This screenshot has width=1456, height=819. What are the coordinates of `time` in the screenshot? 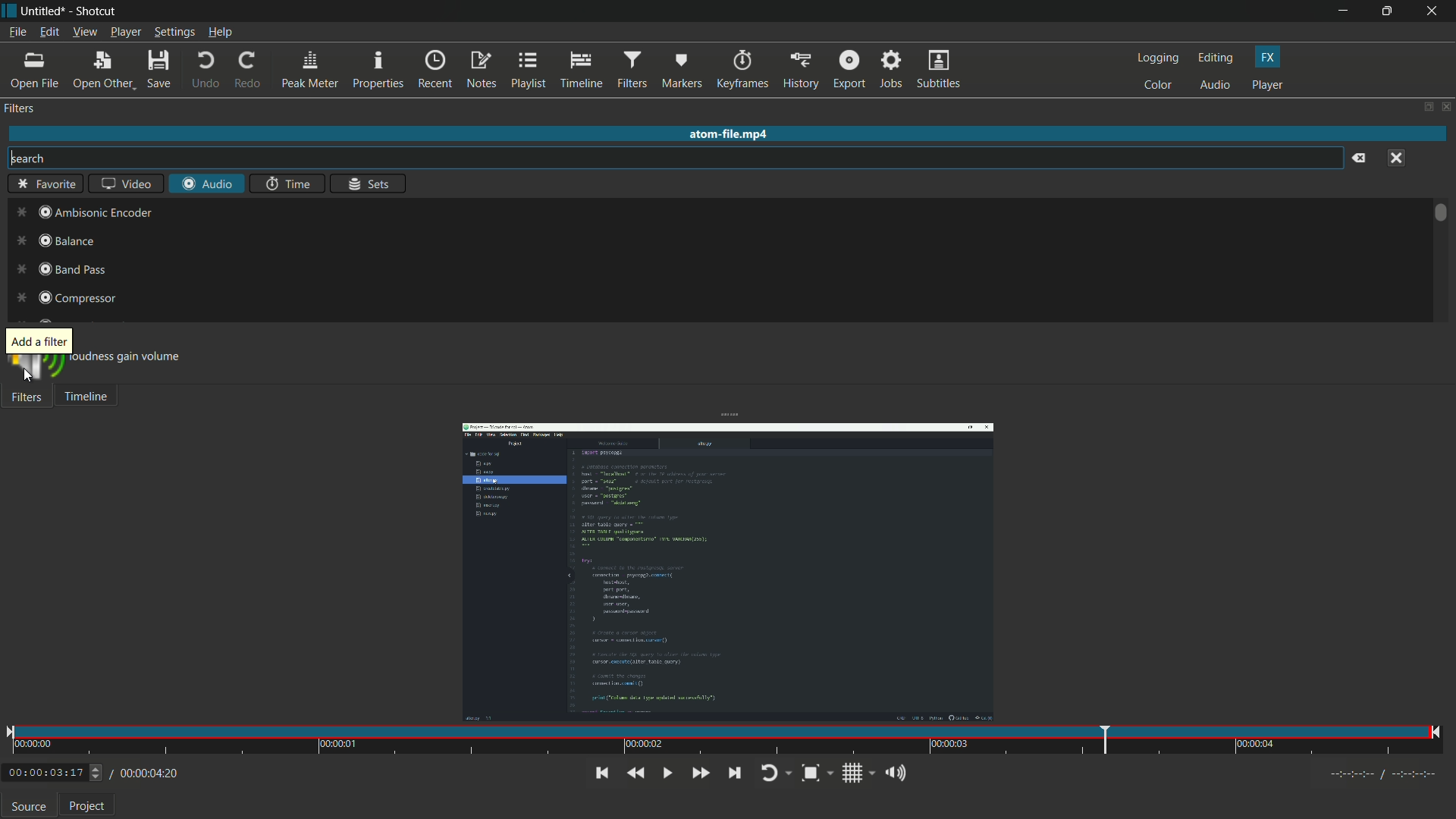 It's located at (288, 184).